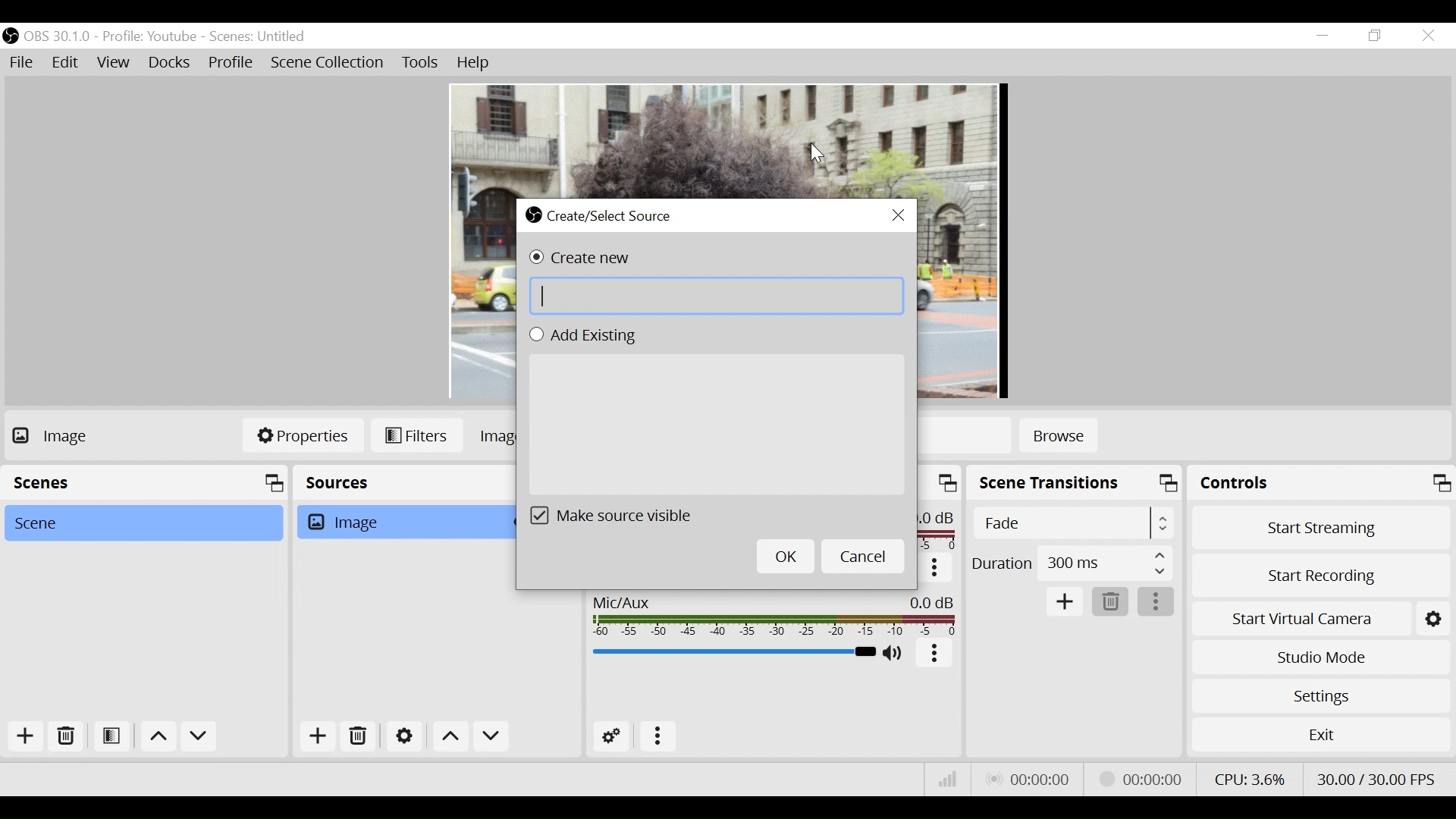 The width and height of the screenshot is (1456, 819). What do you see at coordinates (777, 615) in the screenshot?
I see `Mic/Aux` at bounding box center [777, 615].